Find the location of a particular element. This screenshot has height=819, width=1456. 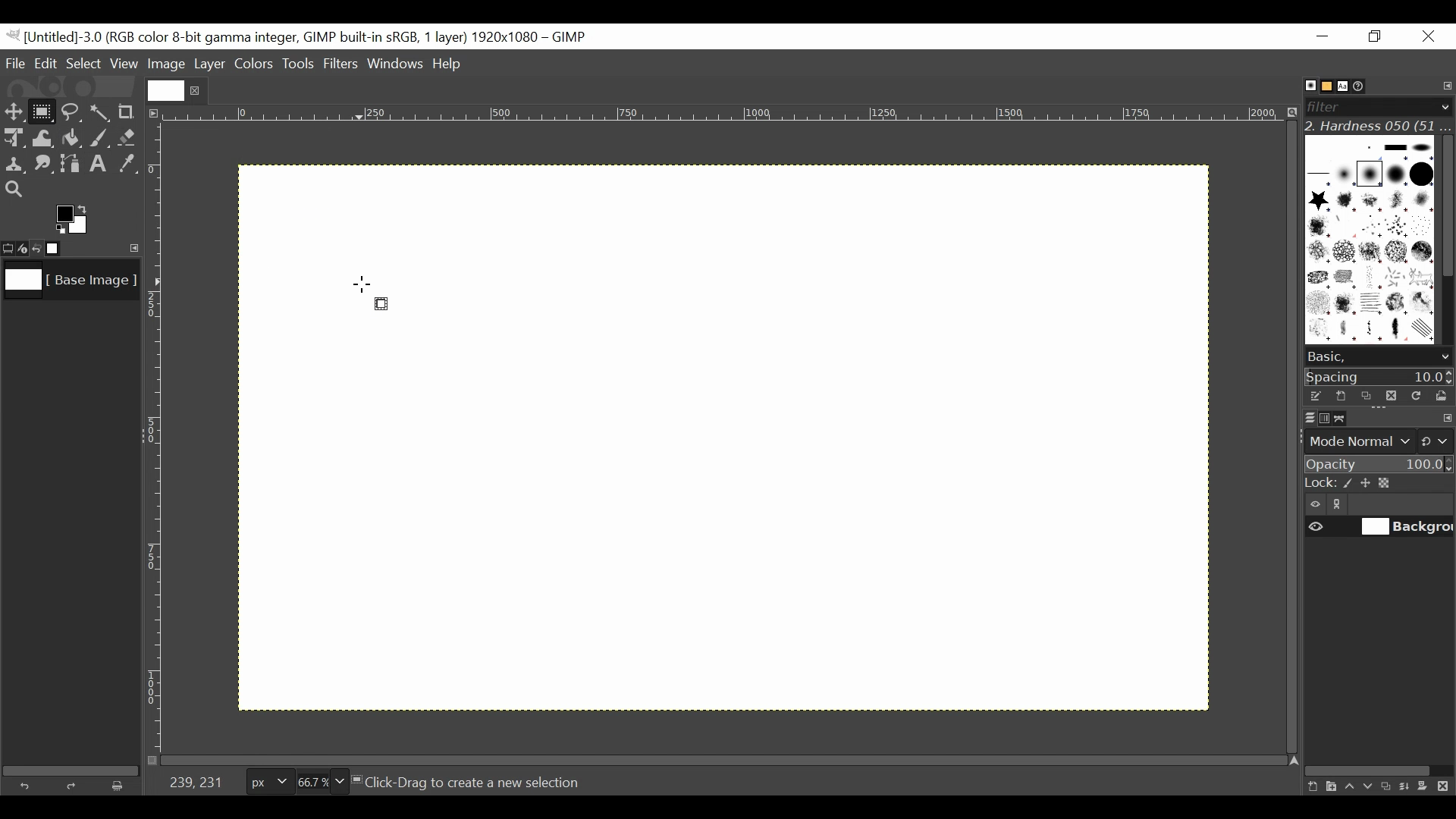

Duplicate this layer is located at coordinates (1389, 786).